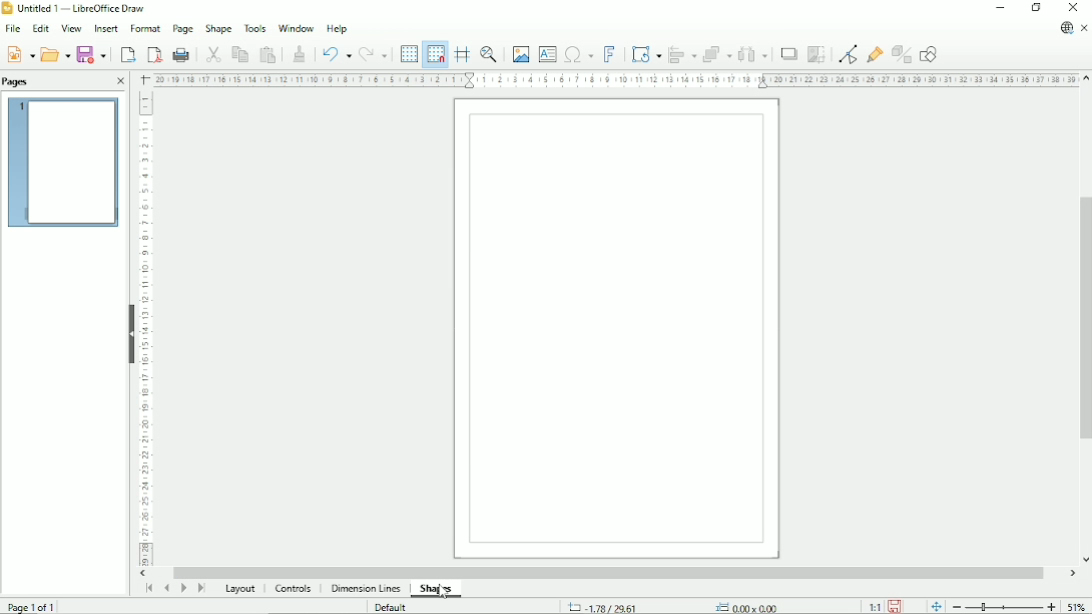 The height and width of the screenshot is (614, 1092). I want to click on Open , so click(55, 53).